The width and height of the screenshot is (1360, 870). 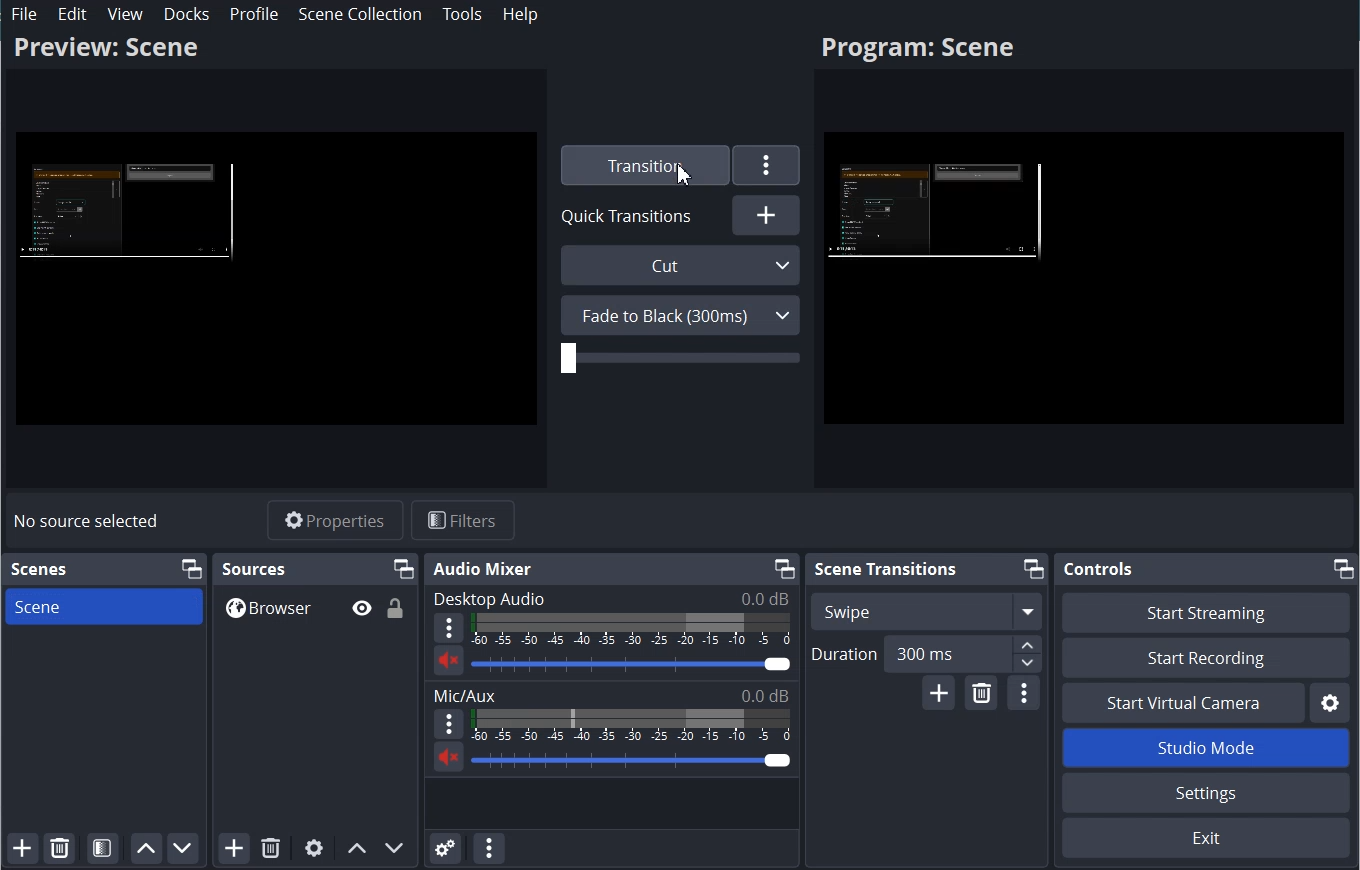 What do you see at coordinates (521, 14) in the screenshot?
I see `Help` at bounding box center [521, 14].